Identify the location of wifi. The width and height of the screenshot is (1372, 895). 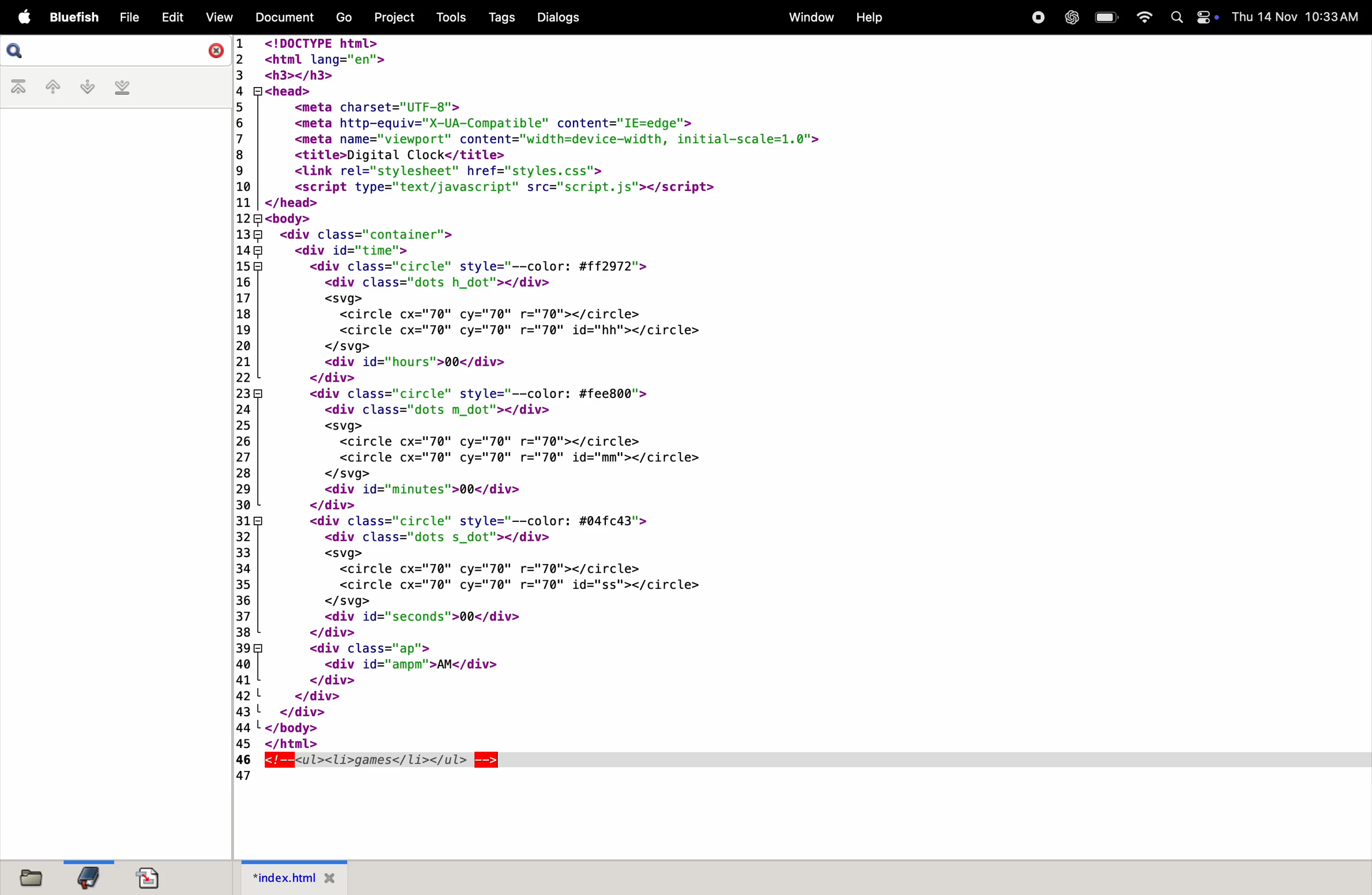
(1143, 16).